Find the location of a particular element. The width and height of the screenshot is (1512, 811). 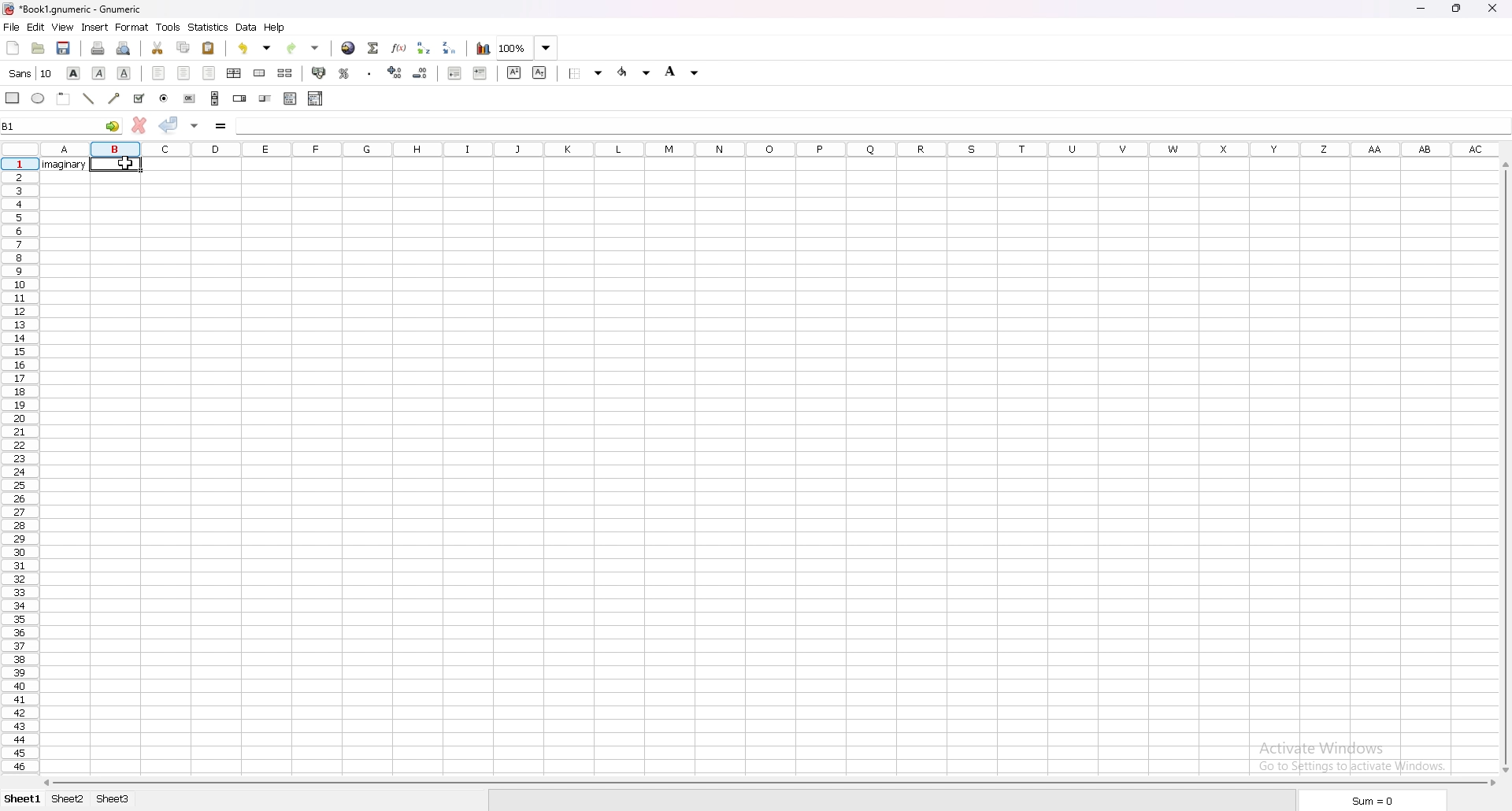

function is located at coordinates (399, 47).